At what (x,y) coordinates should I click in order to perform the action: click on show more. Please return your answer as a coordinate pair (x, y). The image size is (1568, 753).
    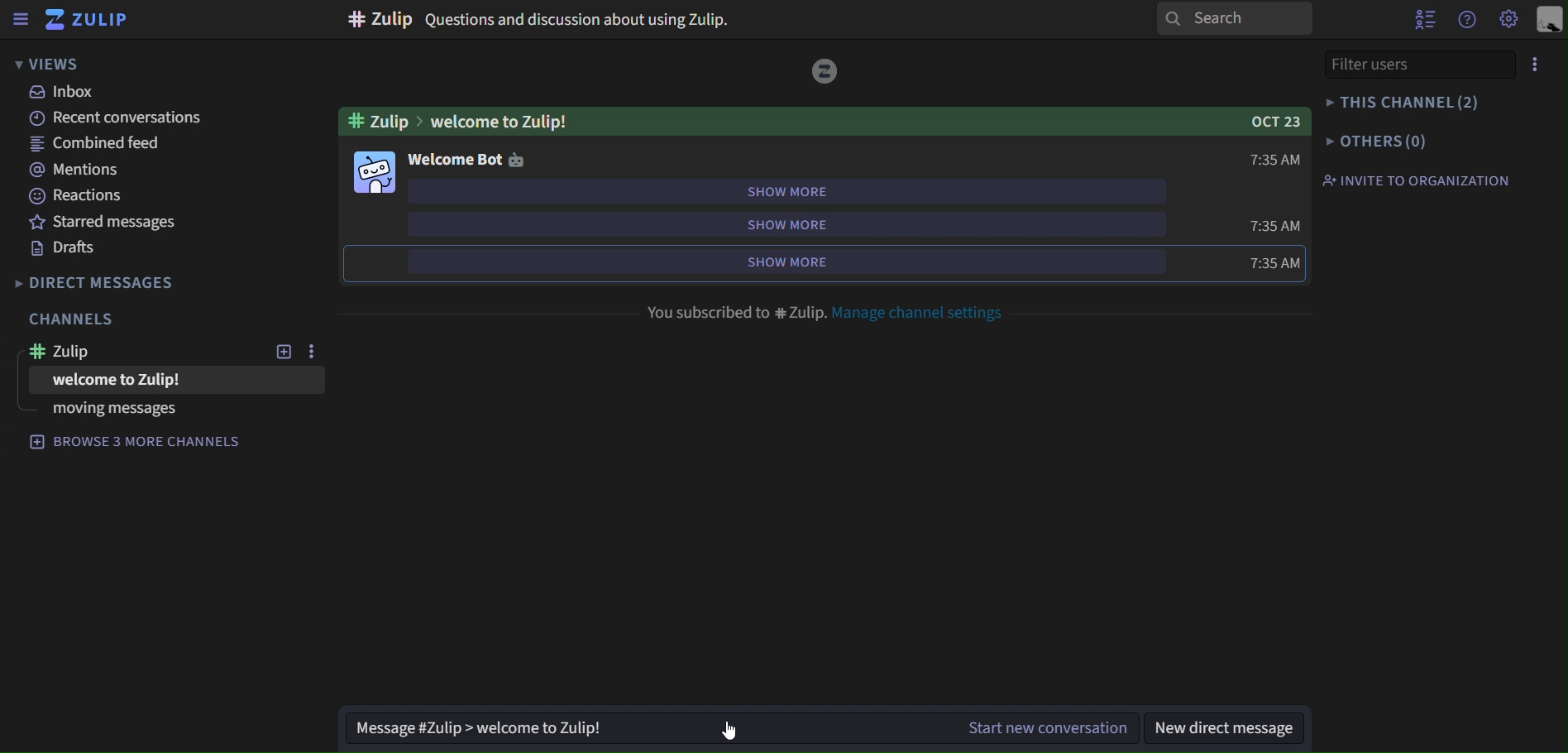
    Looking at the image, I should click on (814, 224).